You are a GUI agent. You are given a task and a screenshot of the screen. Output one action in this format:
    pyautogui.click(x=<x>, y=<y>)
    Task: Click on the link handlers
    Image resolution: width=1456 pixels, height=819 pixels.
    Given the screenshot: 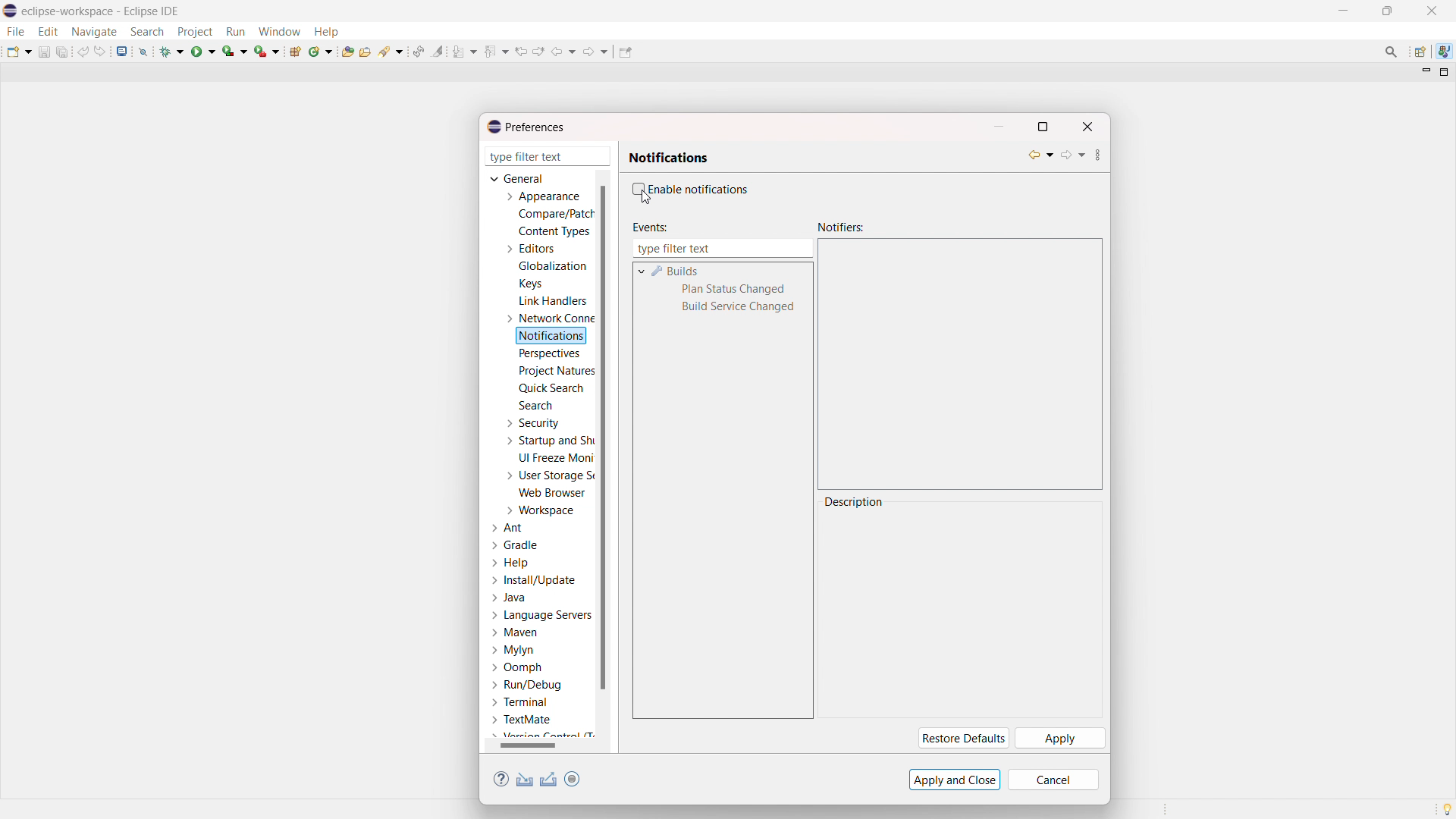 What is the action you would take?
    pyautogui.click(x=553, y=301)
    